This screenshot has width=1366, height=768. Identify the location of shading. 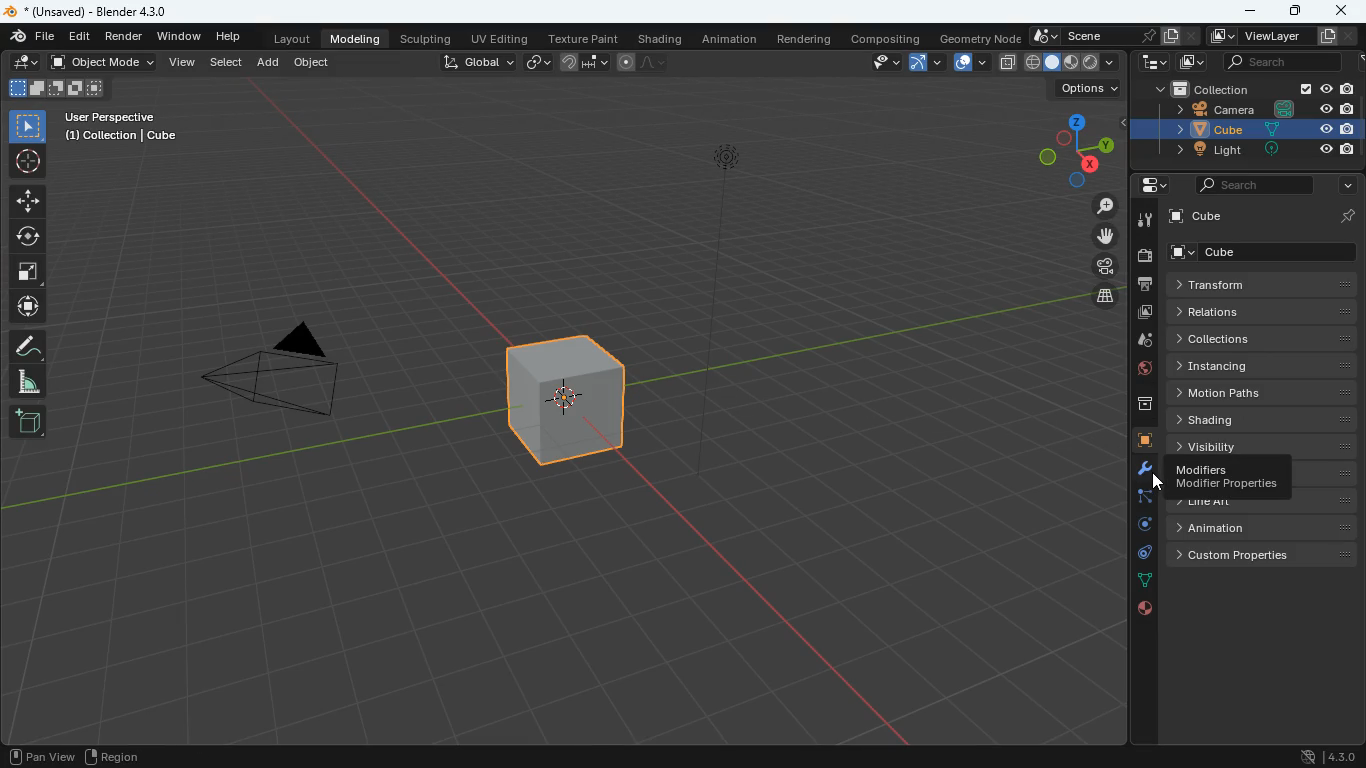
(1264, 419).